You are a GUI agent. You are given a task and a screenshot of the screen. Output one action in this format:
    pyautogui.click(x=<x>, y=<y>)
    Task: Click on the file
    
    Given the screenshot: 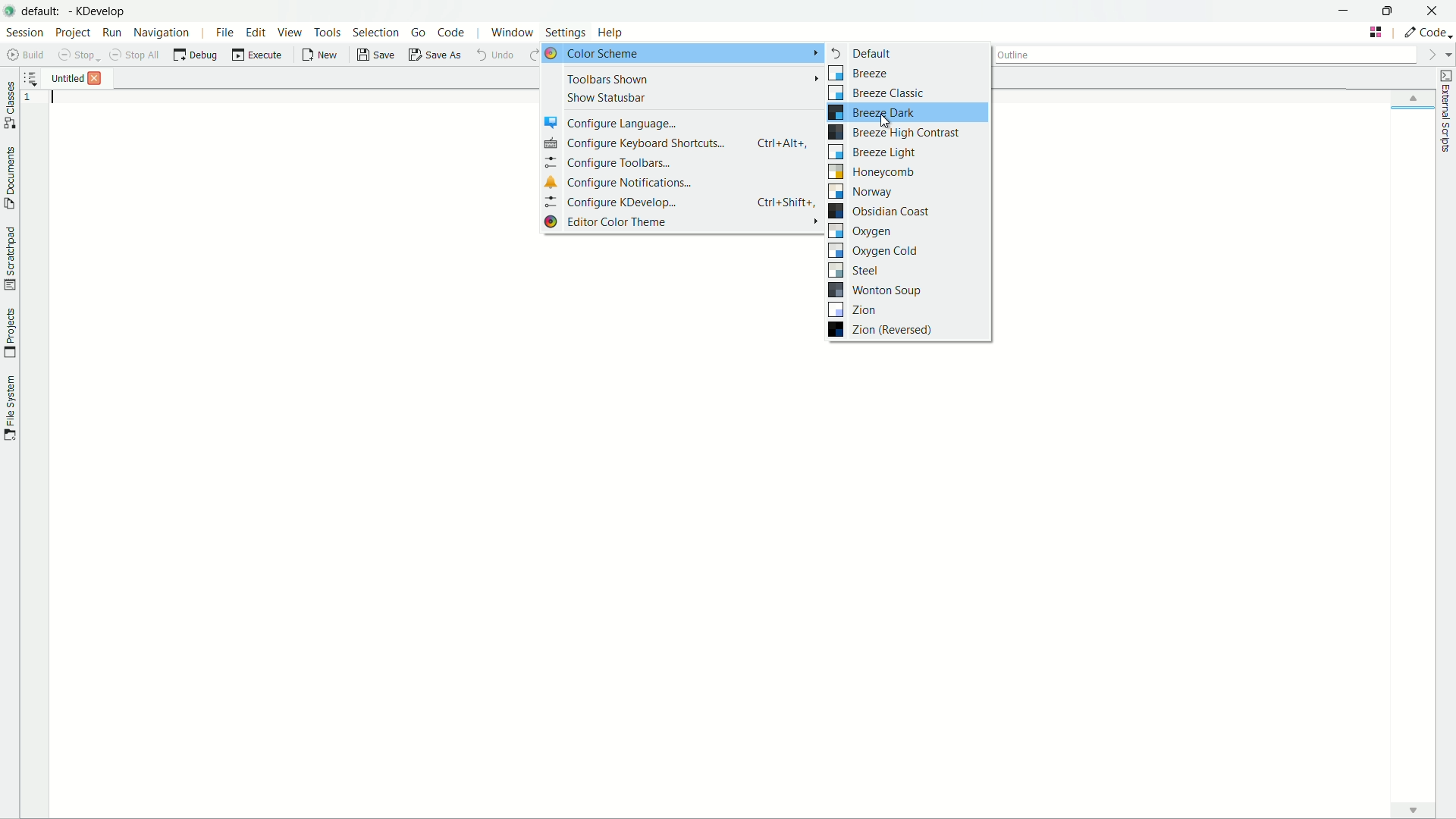 What is the action you would take?
    pyautogui.click(x=226, y=33)
    